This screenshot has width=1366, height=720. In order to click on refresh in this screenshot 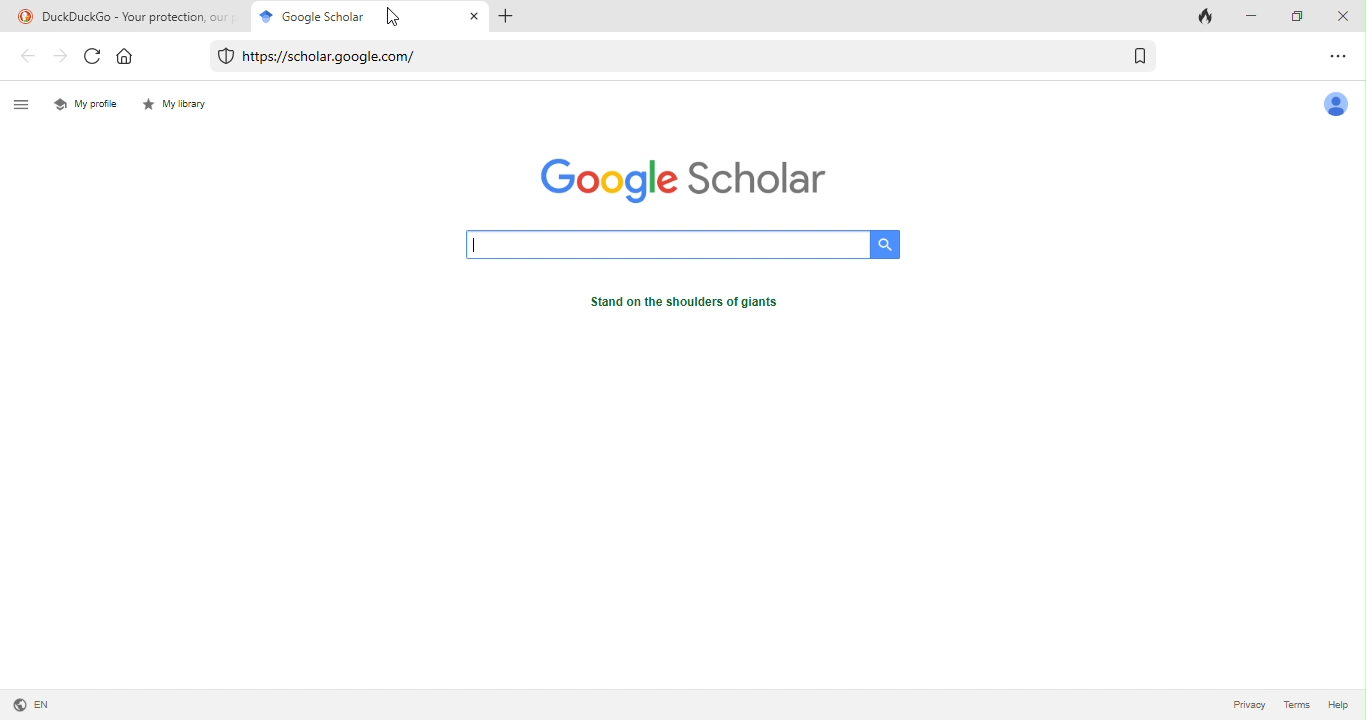, I will do `click(94, 59)`.